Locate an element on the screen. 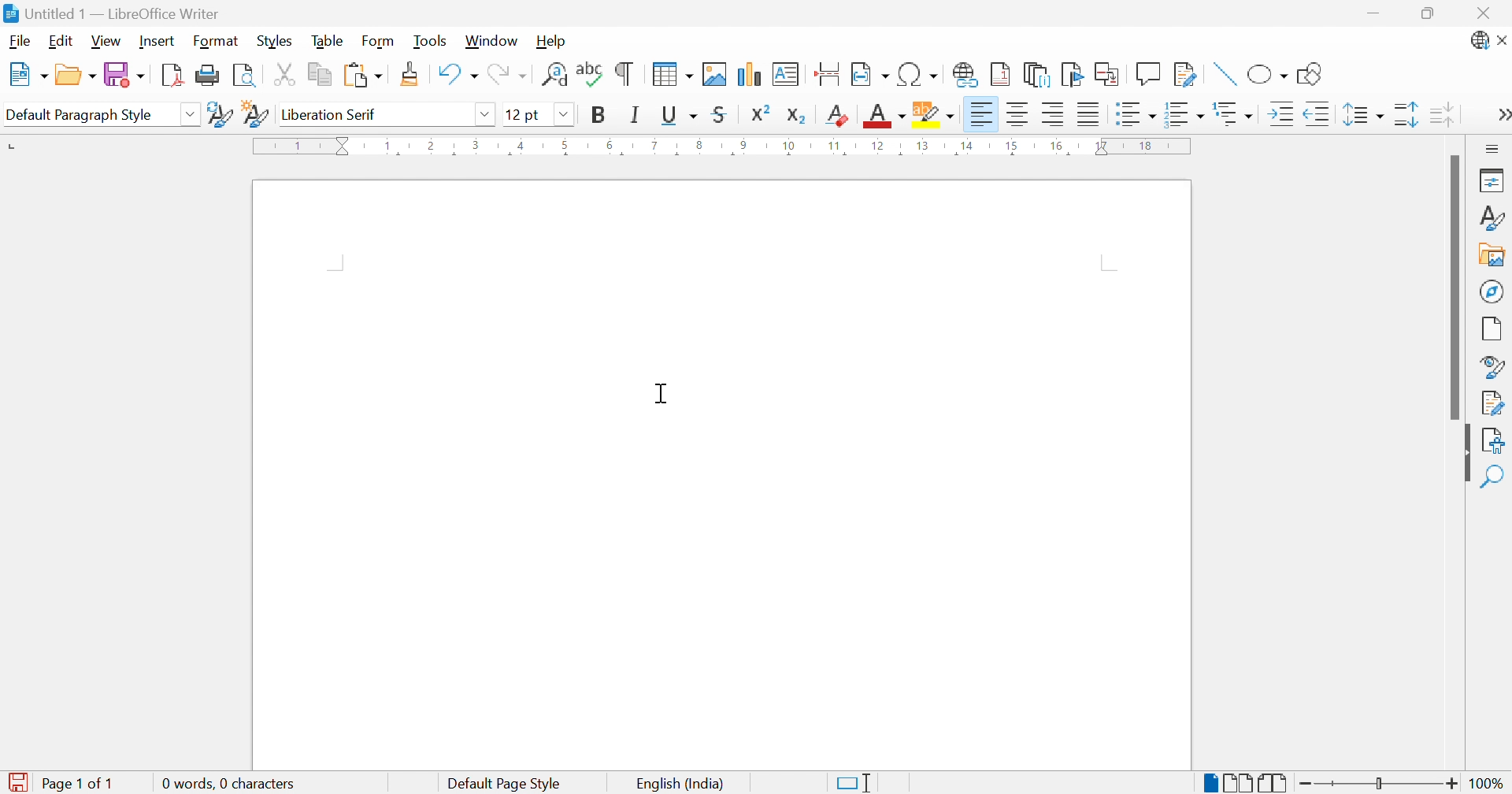 This screenshot has height=794, width=1512. Update selected style is located at coordinates (220, 114).